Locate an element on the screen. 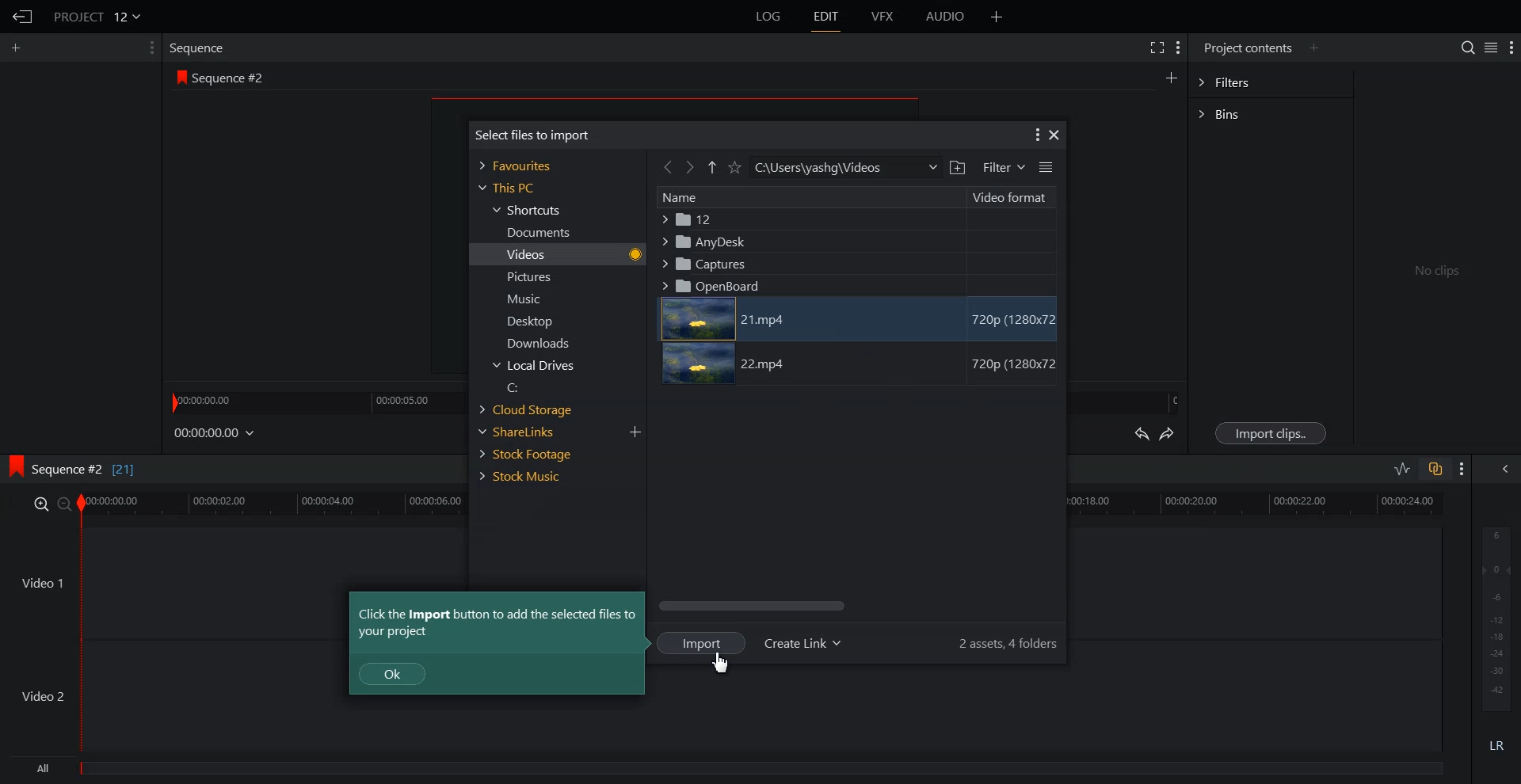  Project contents is located at coordinates (1245, 48).